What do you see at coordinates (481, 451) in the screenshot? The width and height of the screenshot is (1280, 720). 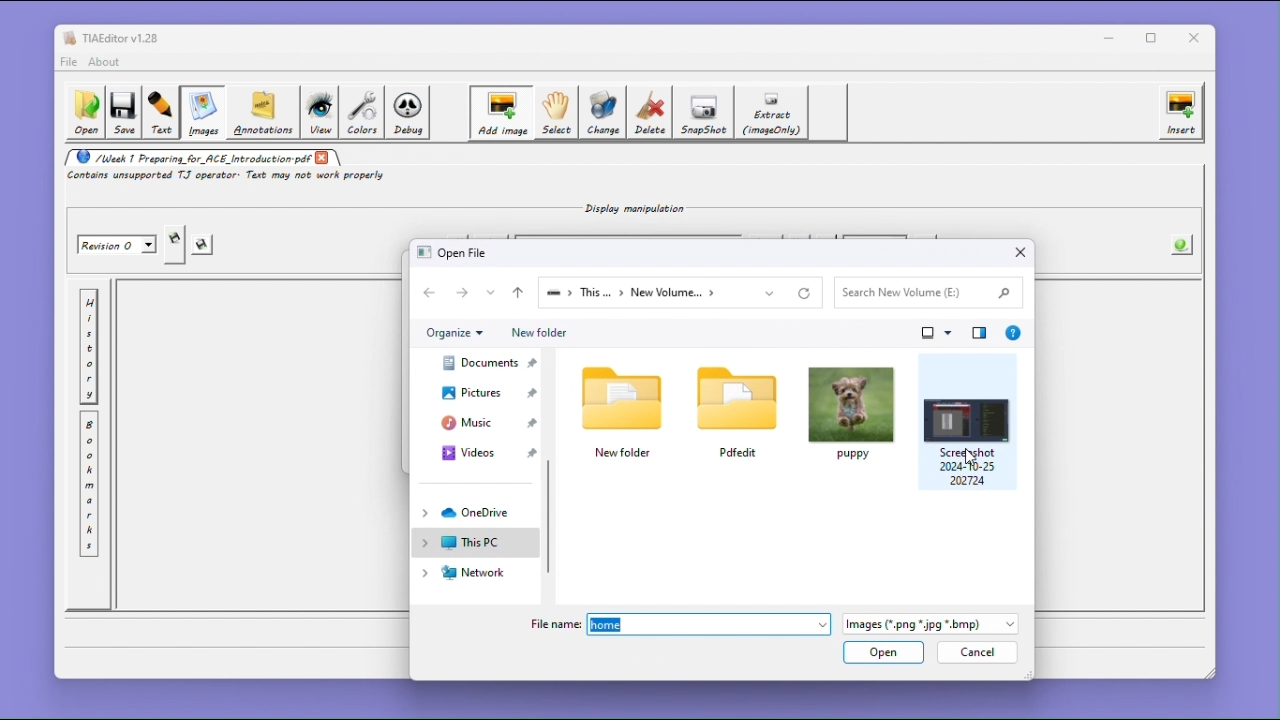 I see `videos` at bounding box center [481, 451].